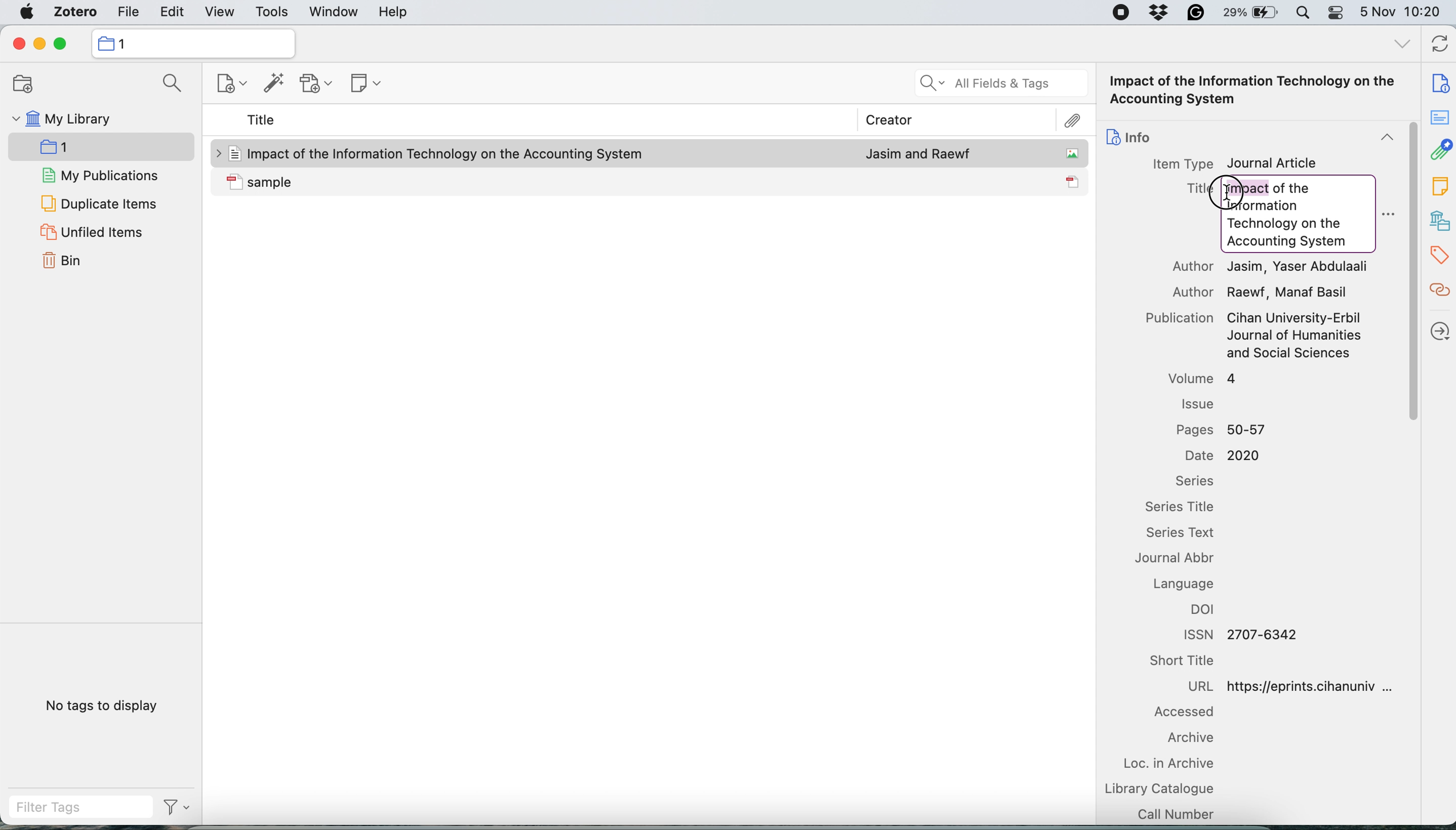 The width and height of the screenshot is (1456, 830). What do you see at coordinates (1401, 44) in the screenshot?
I see `all tags` at bounding box center [1401, 44].